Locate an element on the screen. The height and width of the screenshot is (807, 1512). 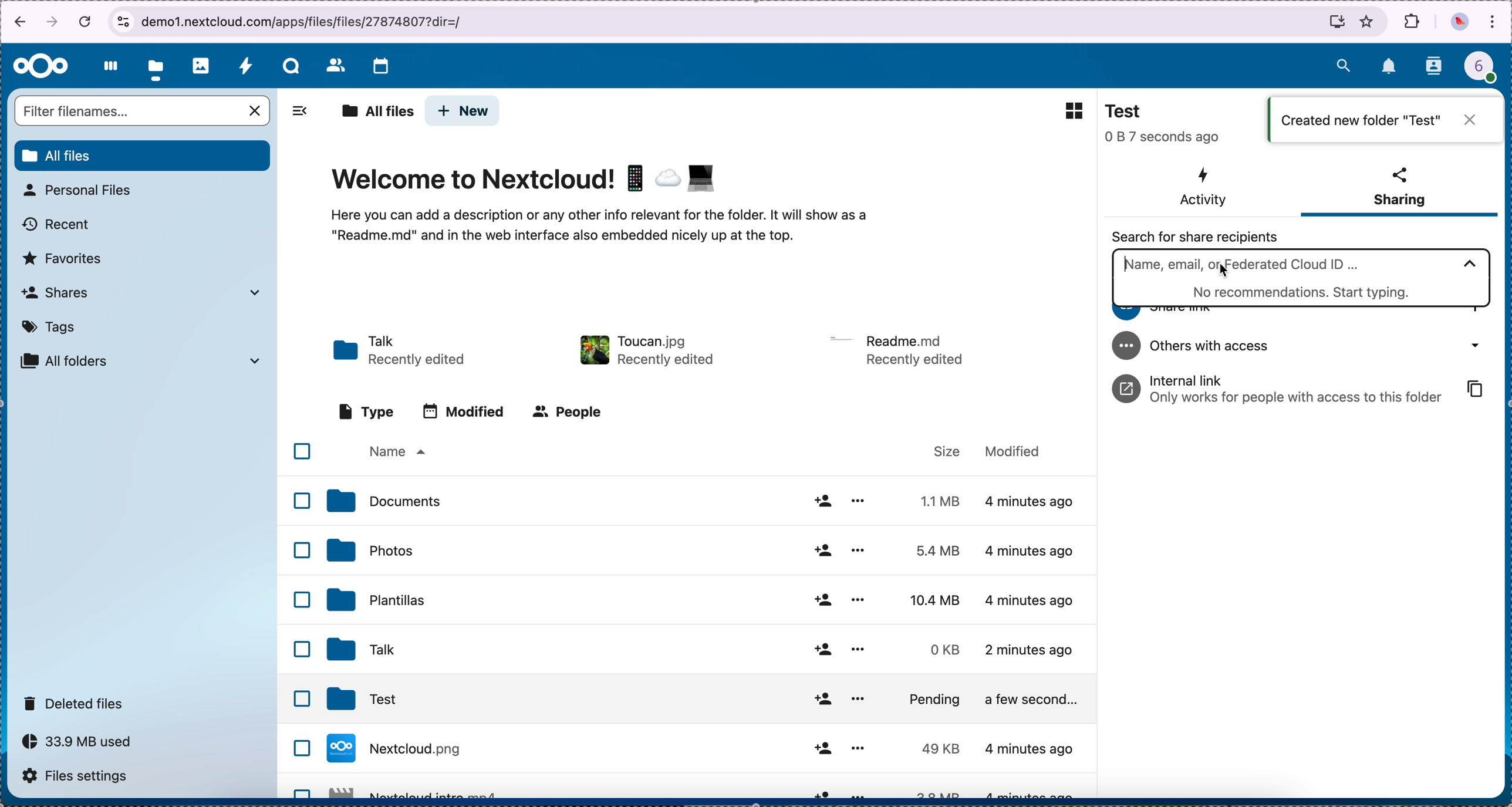
recent is located at coordinates (58, 225).